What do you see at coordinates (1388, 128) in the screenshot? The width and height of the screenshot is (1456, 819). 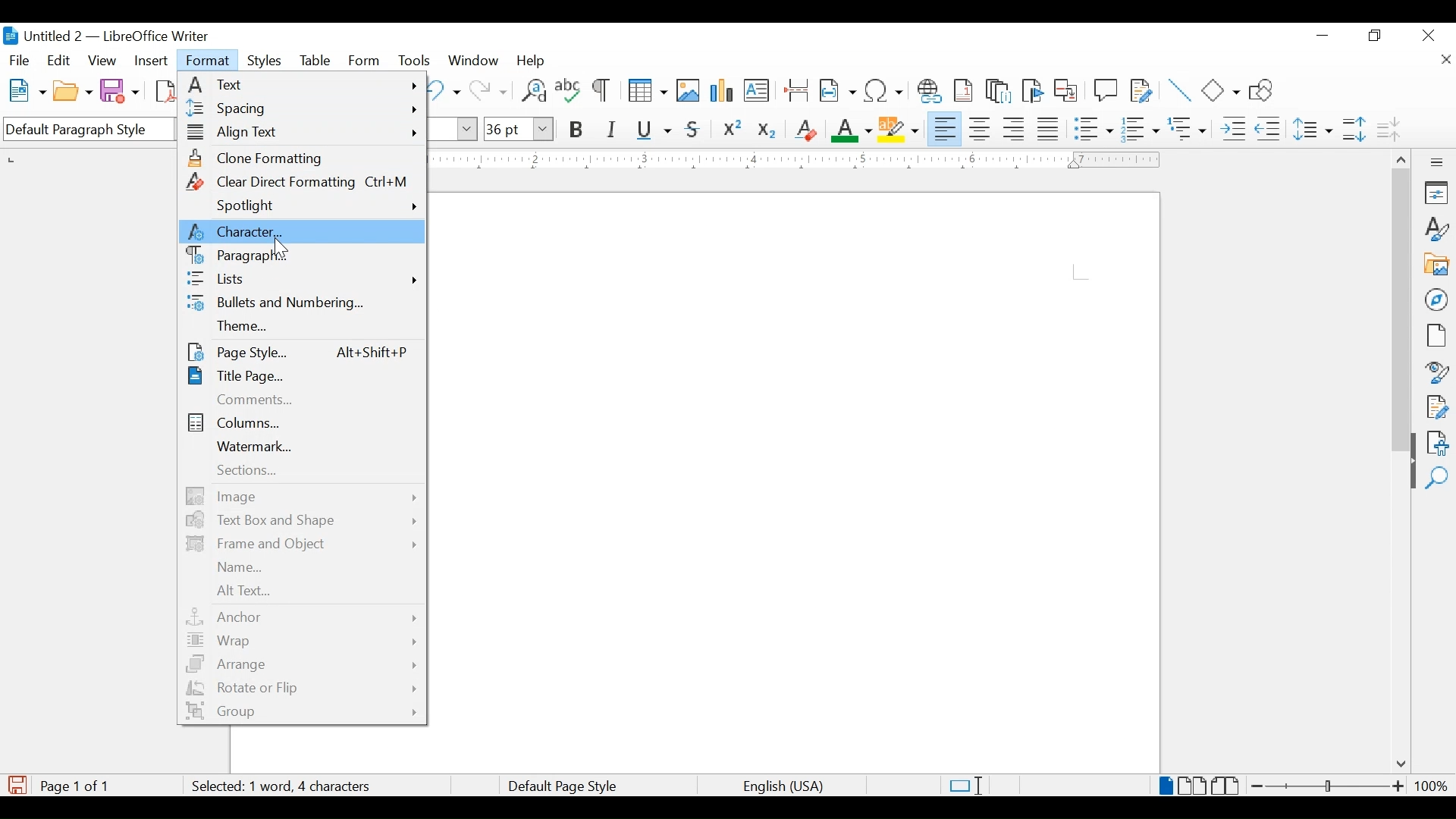 I see `decrease paragraph spacing` at bounding box center [1388, 128].